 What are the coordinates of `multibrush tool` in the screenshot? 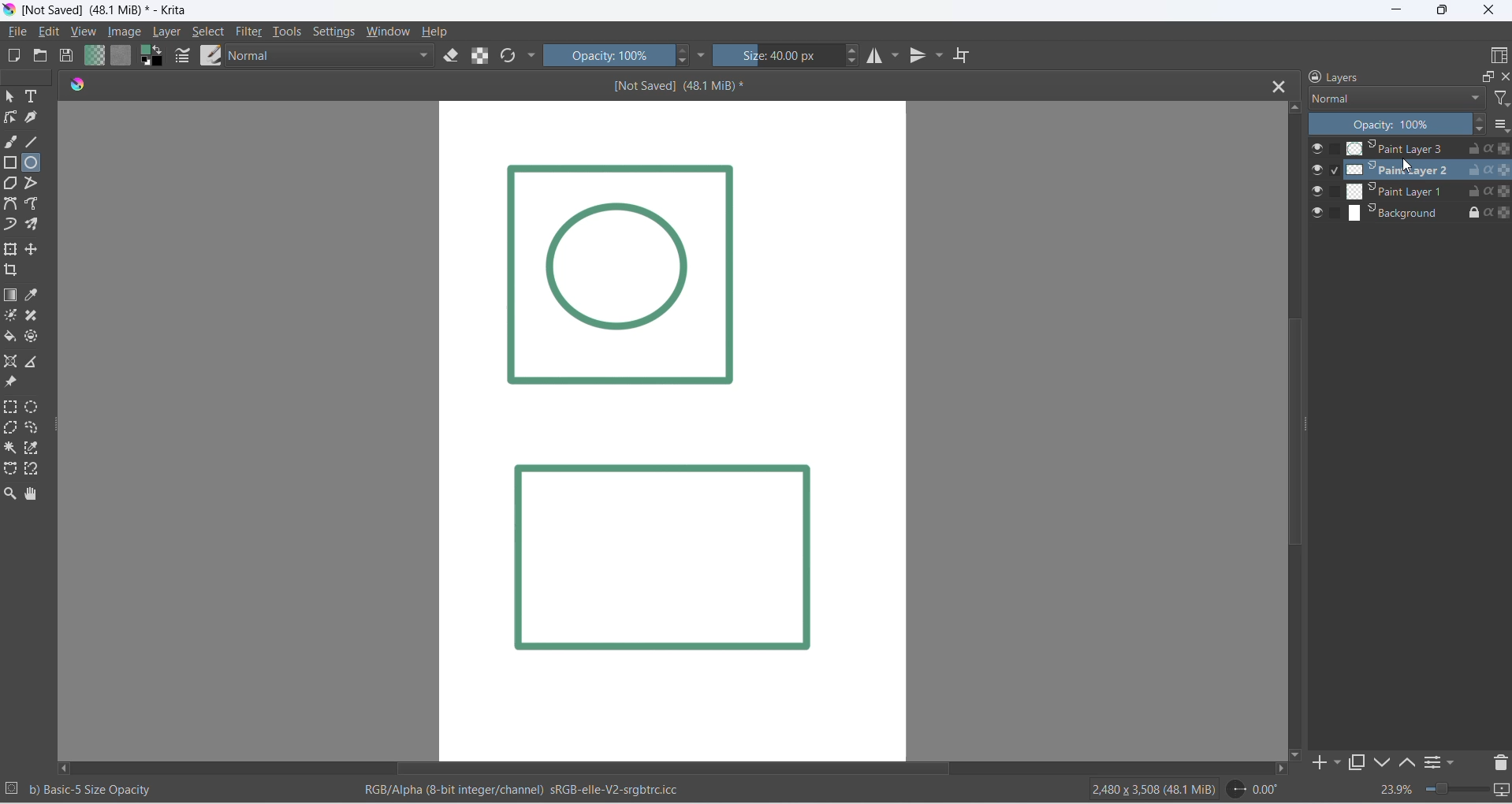 It's located at (35, 225).